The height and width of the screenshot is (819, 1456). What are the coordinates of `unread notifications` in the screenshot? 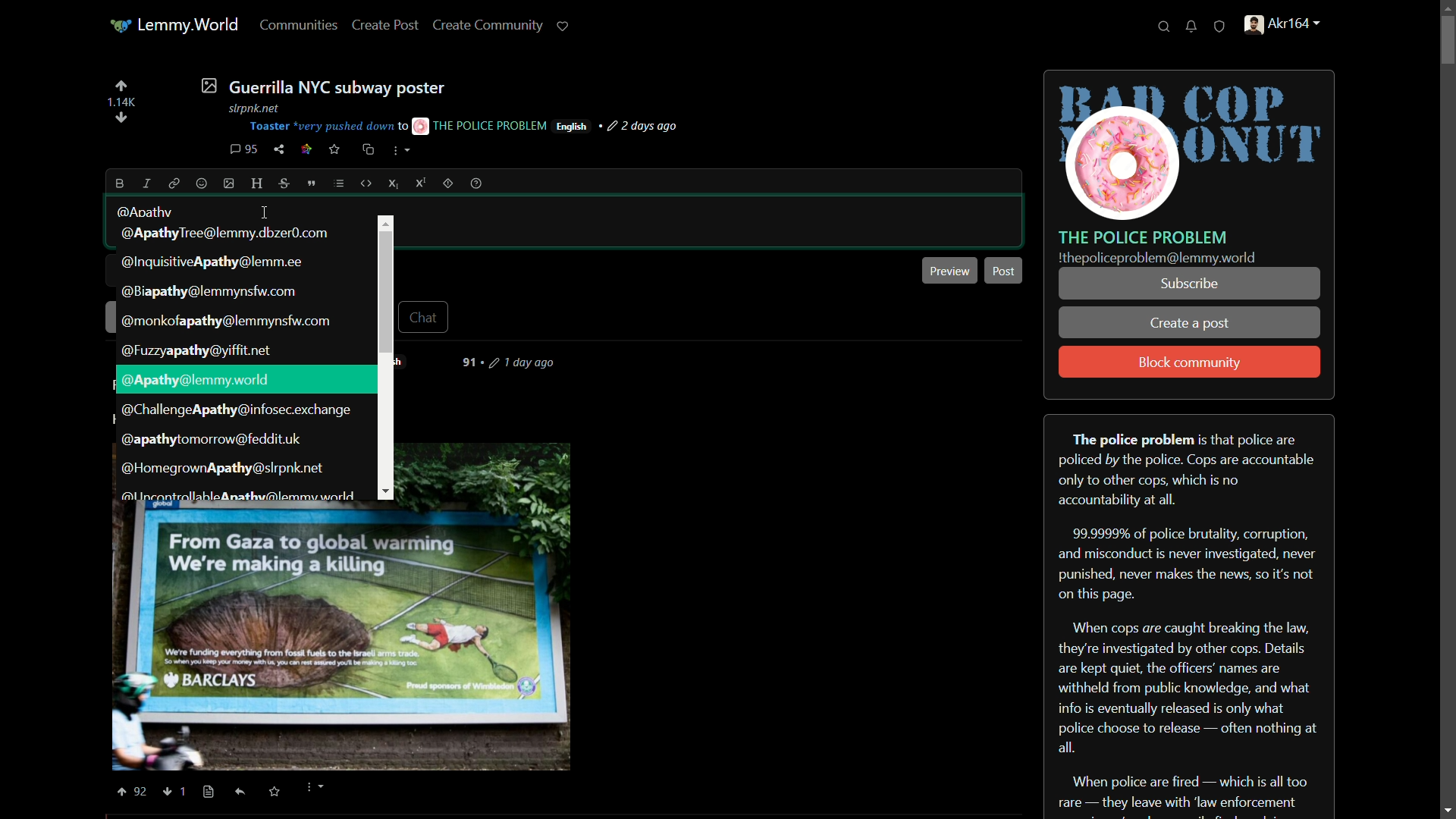 It's located at (1193, 27).